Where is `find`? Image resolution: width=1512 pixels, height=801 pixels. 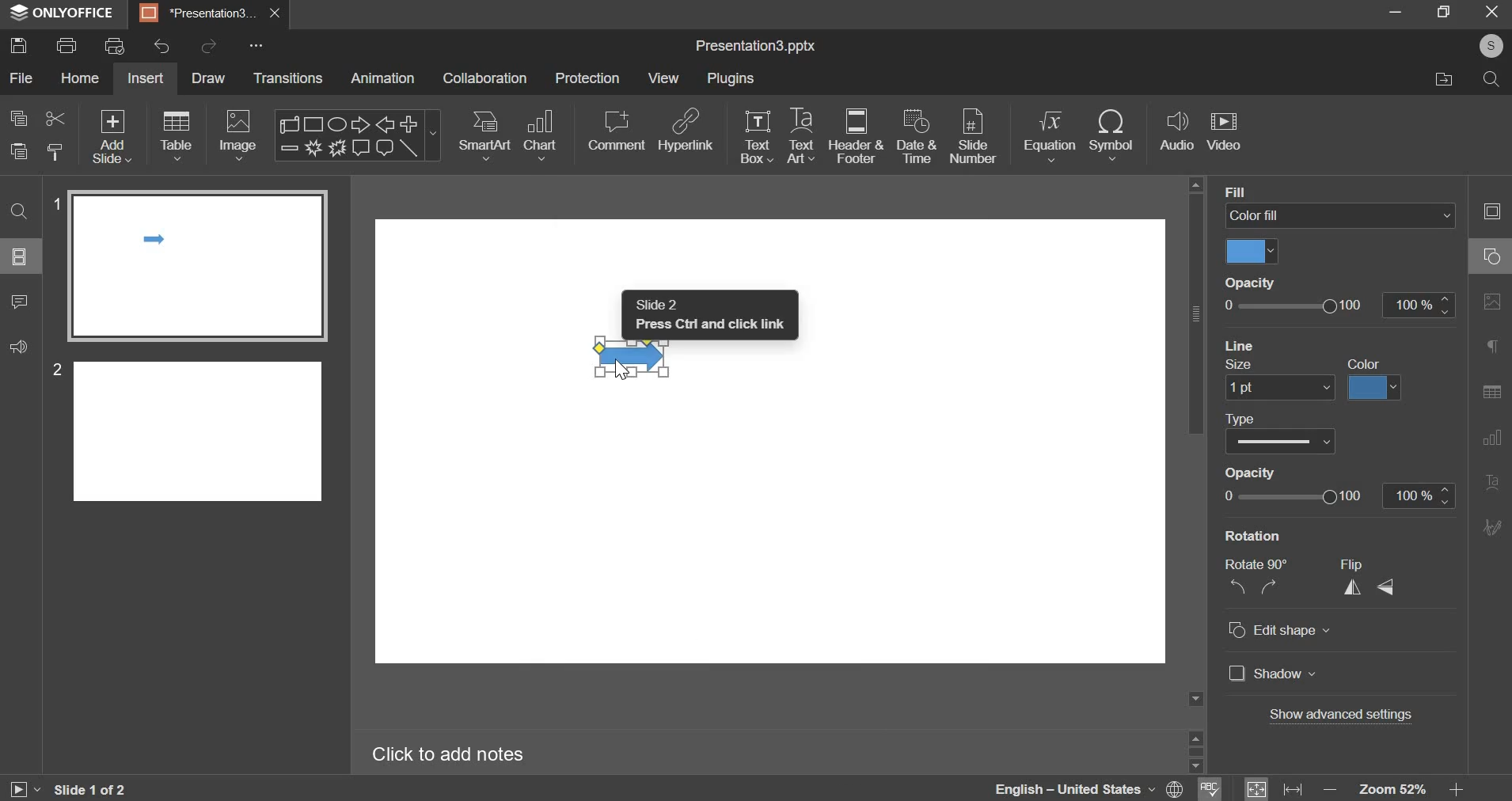
find is located at coordinates (19, 212).